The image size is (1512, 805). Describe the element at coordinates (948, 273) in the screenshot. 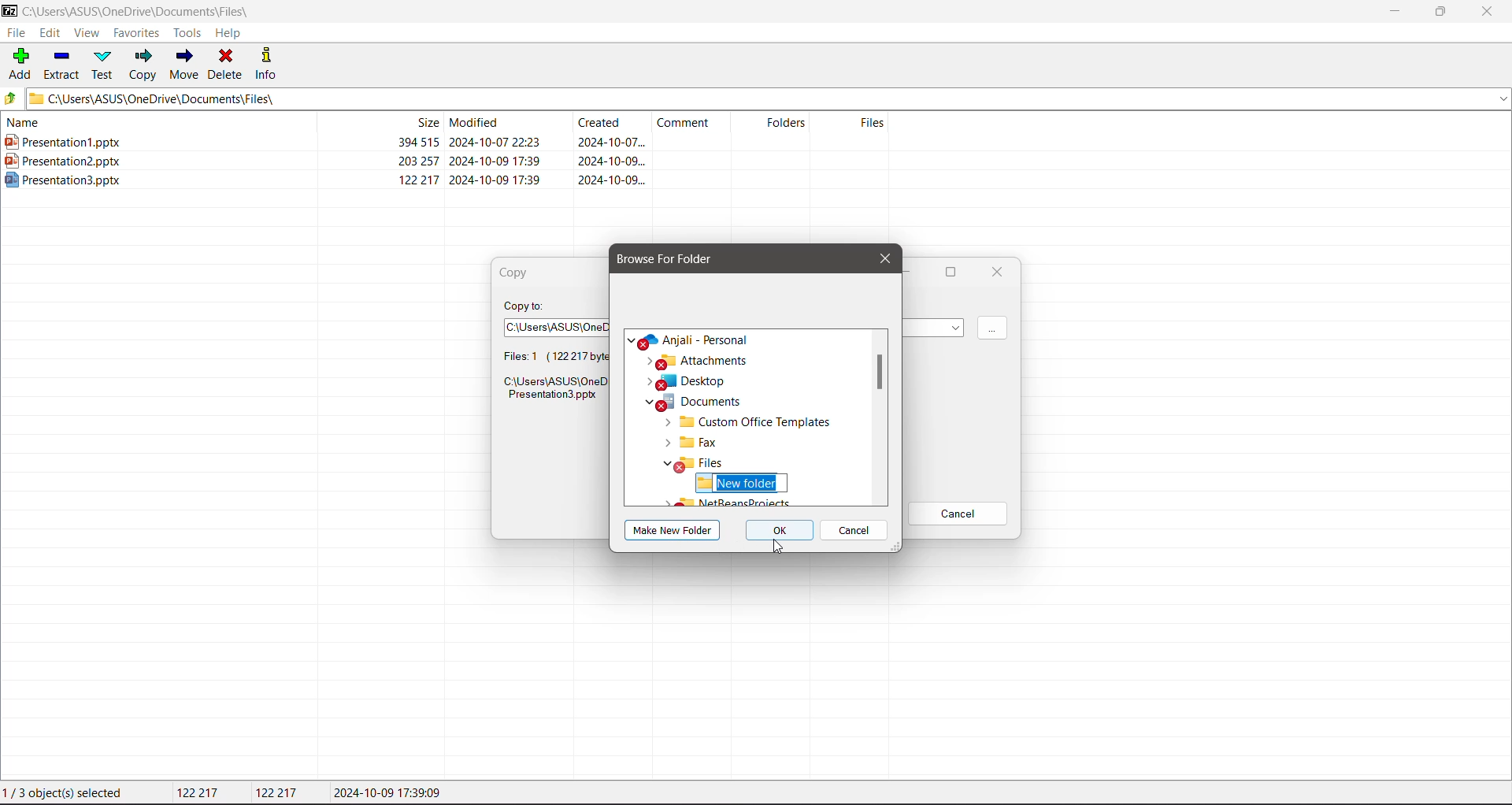

I see `Maximize` at that location.